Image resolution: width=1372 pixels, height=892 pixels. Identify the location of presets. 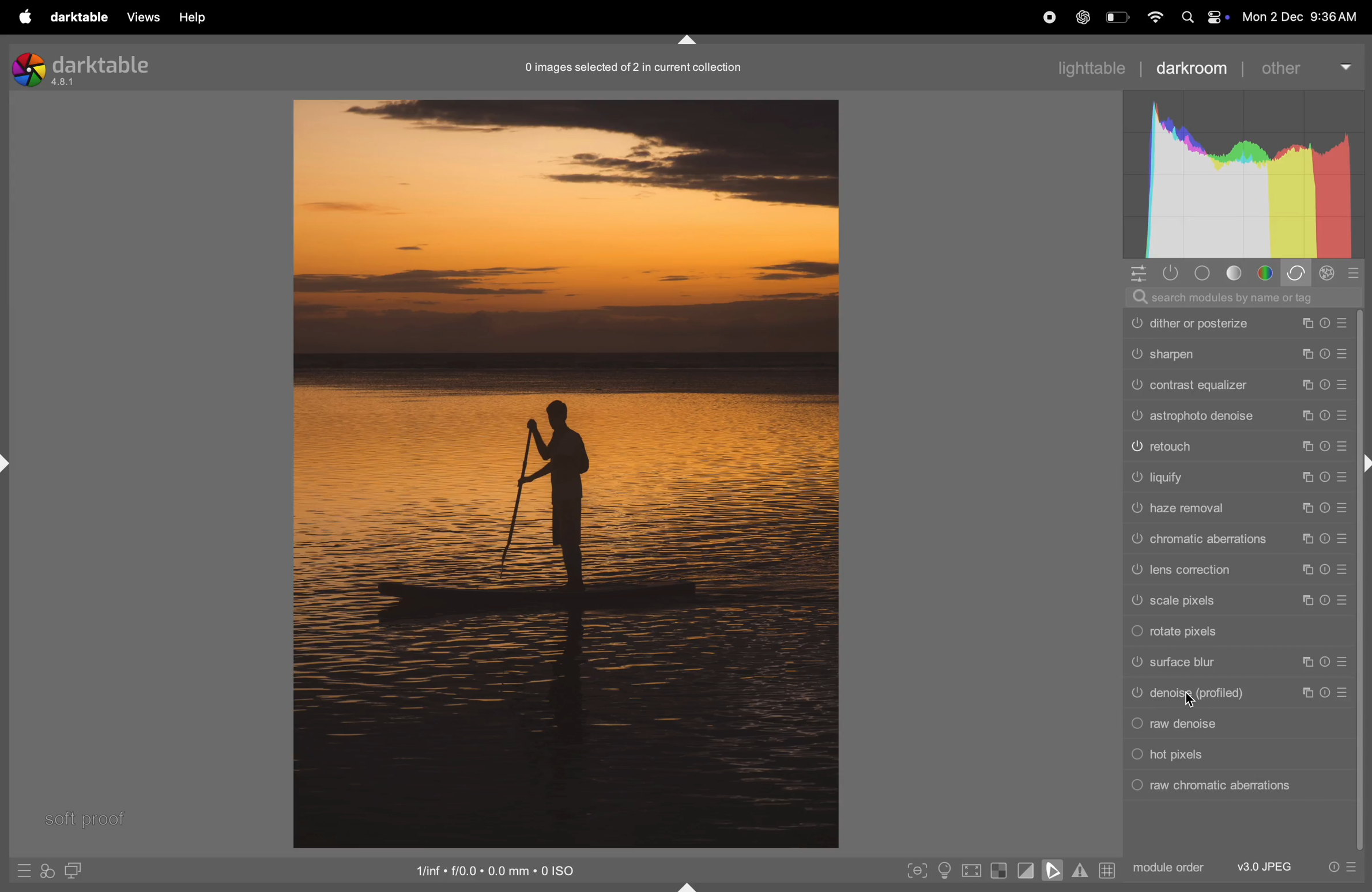
(1358, 275).